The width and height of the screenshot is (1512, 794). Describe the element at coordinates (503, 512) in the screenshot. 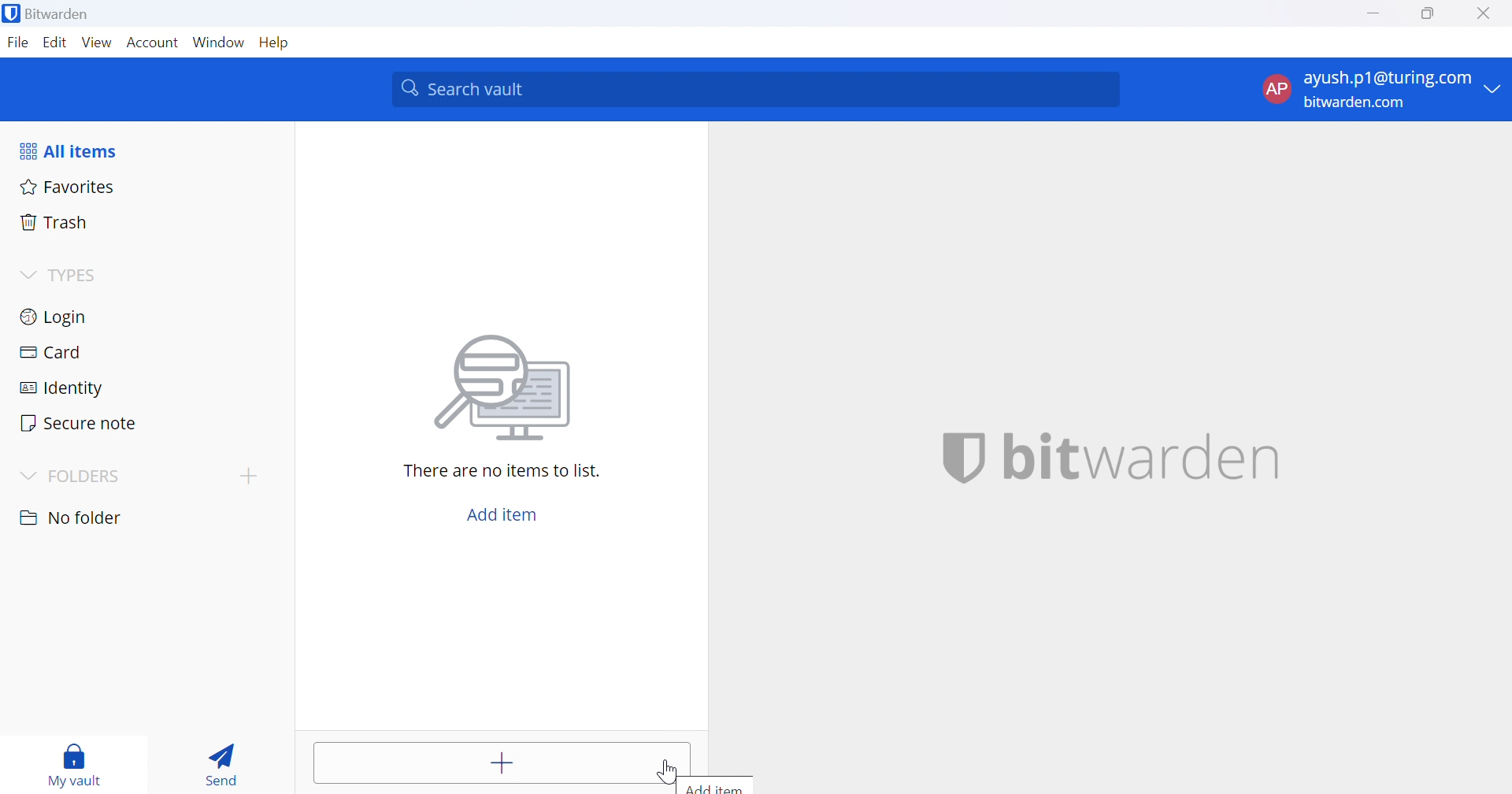

I see `Add item` at that location.